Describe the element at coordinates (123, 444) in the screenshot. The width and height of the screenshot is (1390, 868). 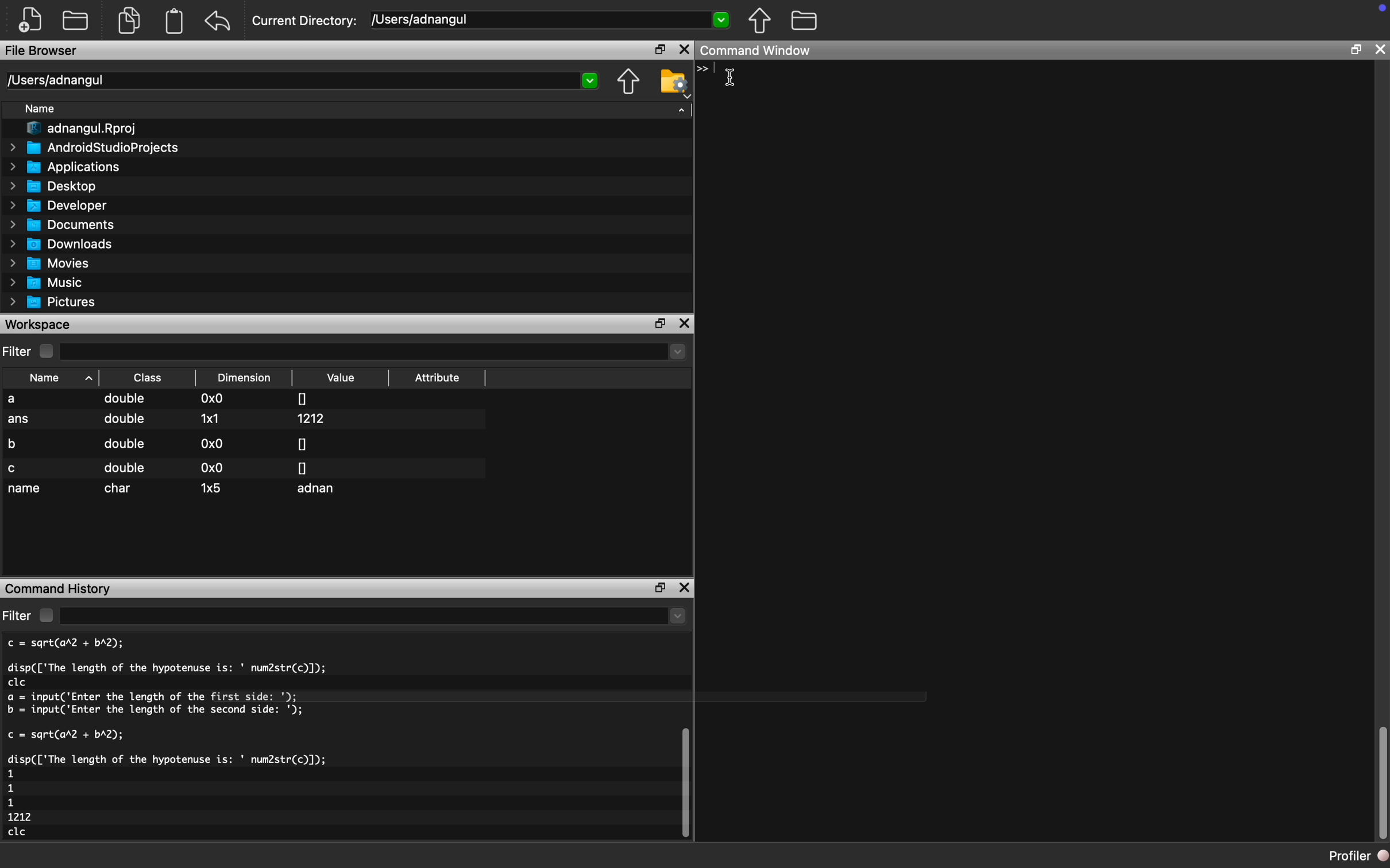
I see `double` at that location.